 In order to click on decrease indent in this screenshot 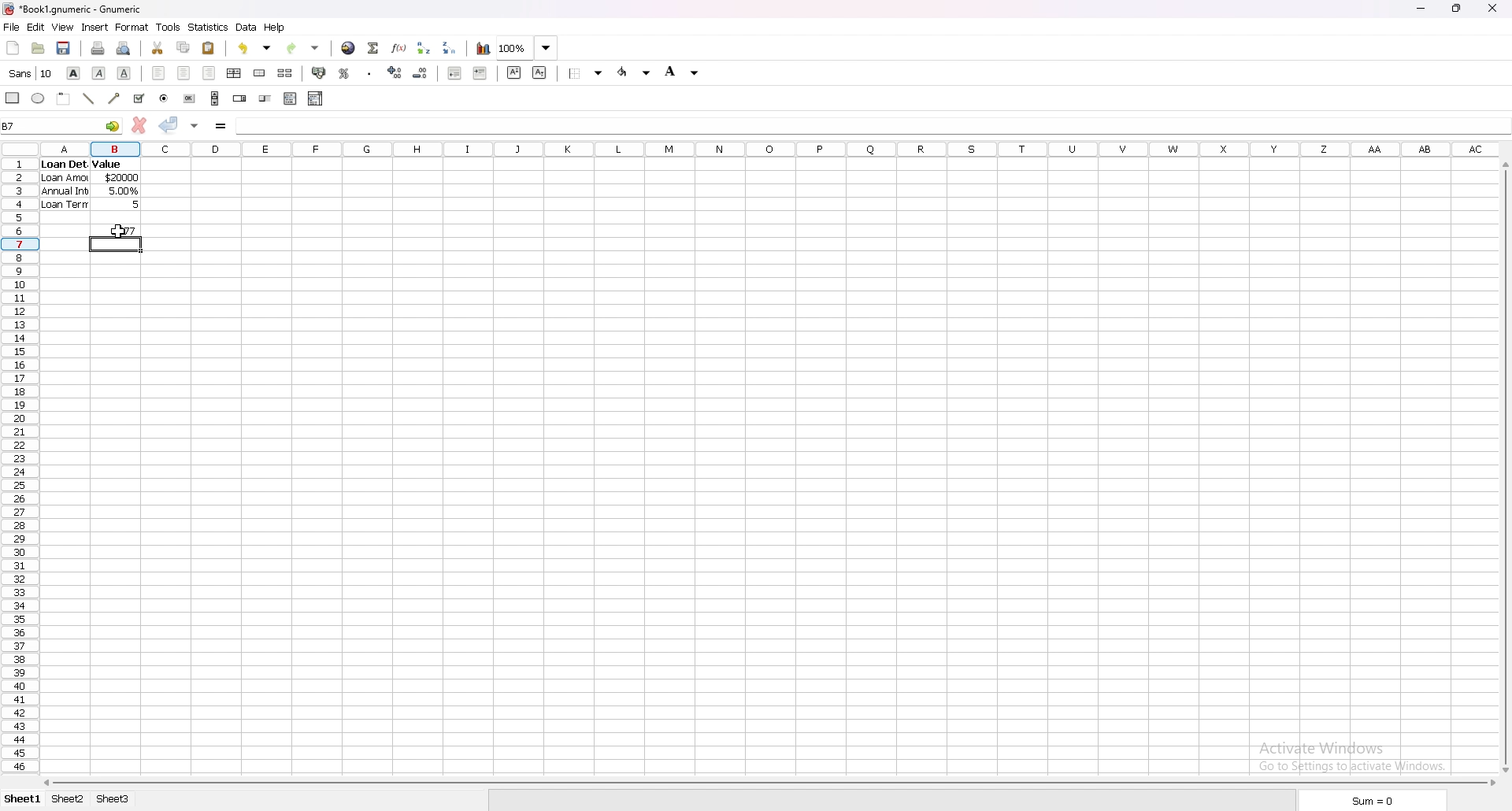, I will do `click(455, 72)`.